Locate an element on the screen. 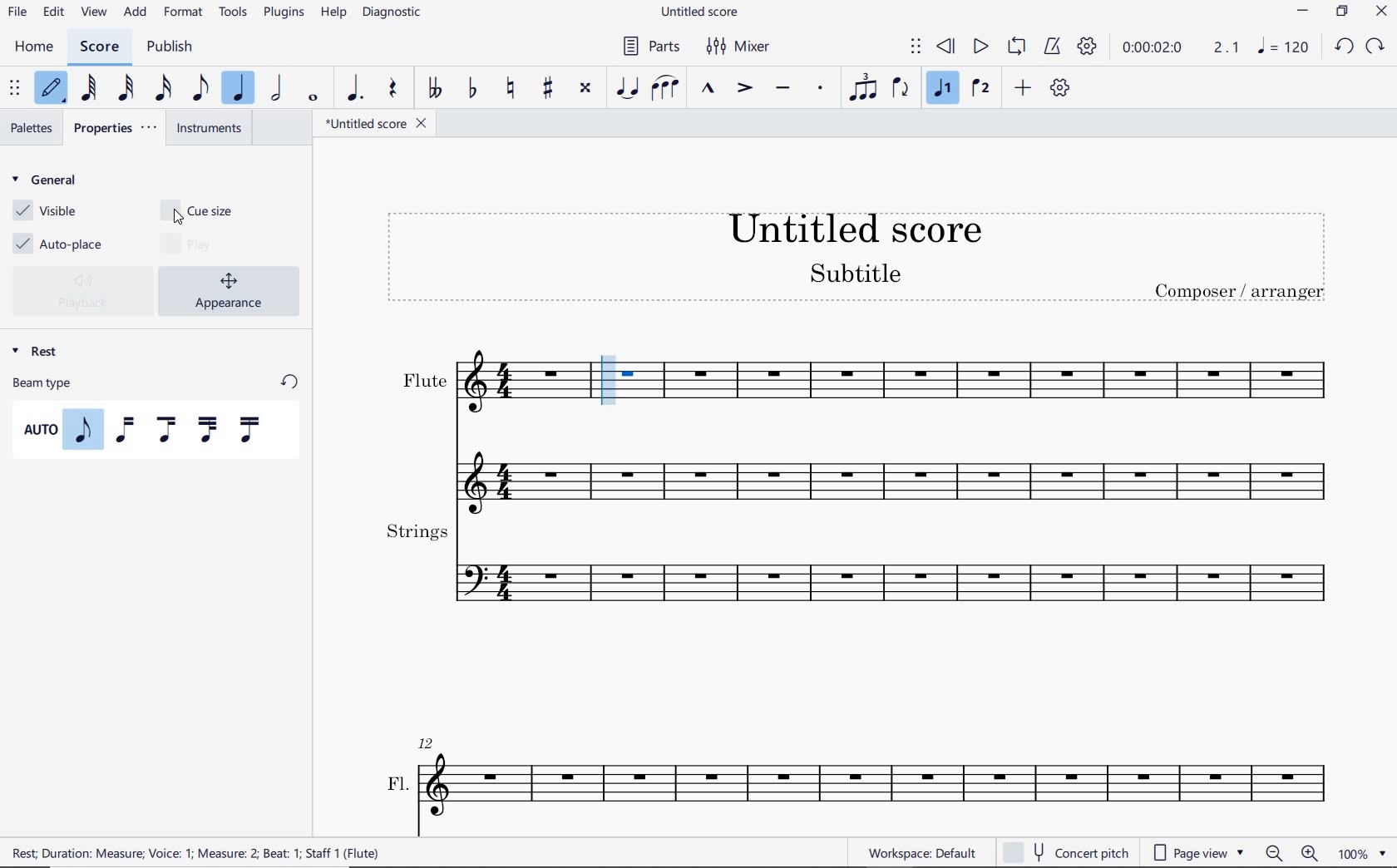  home is located at coordinates (35, 47).